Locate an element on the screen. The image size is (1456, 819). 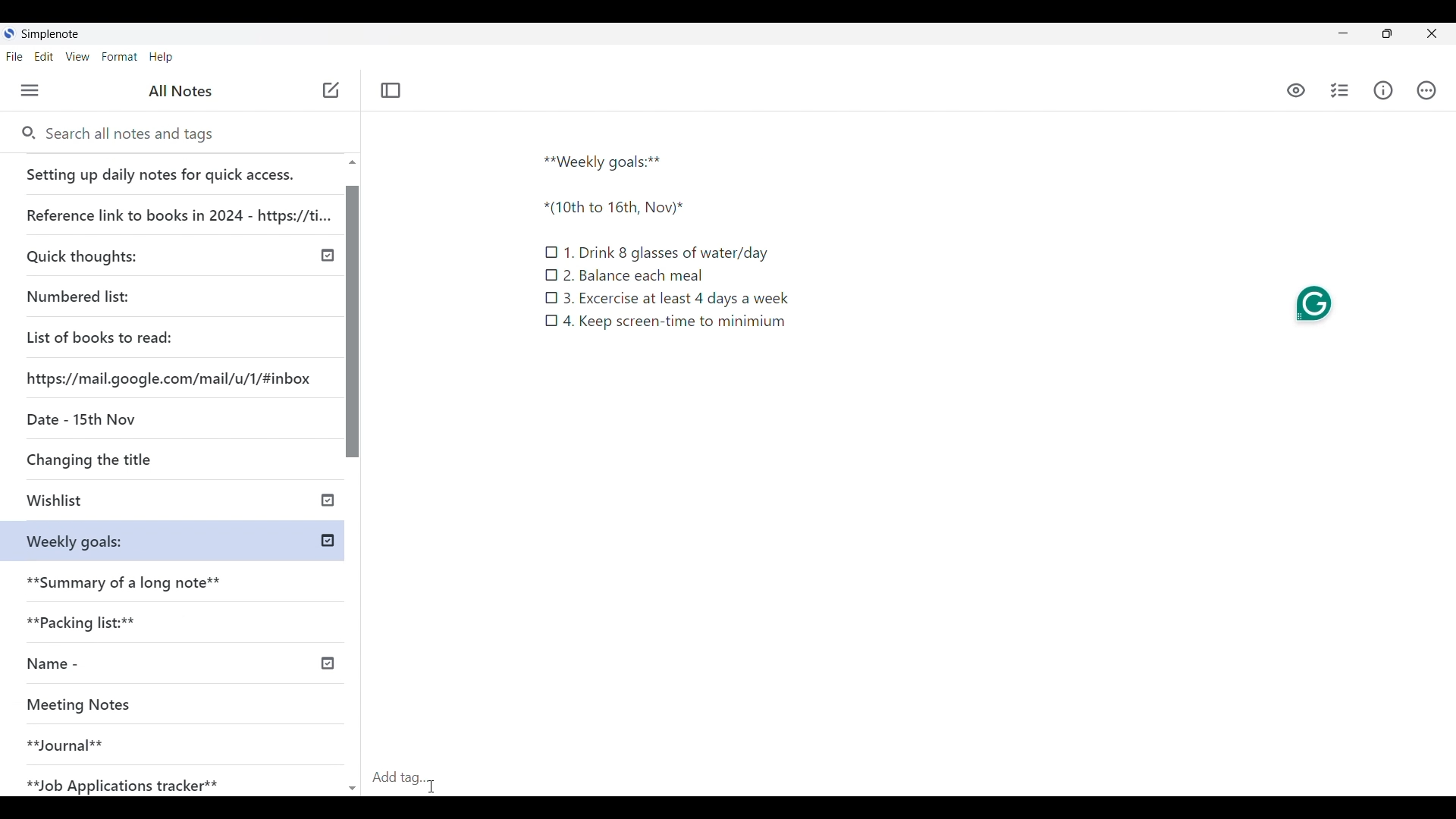
File menu is located at coordinates (14, 57).